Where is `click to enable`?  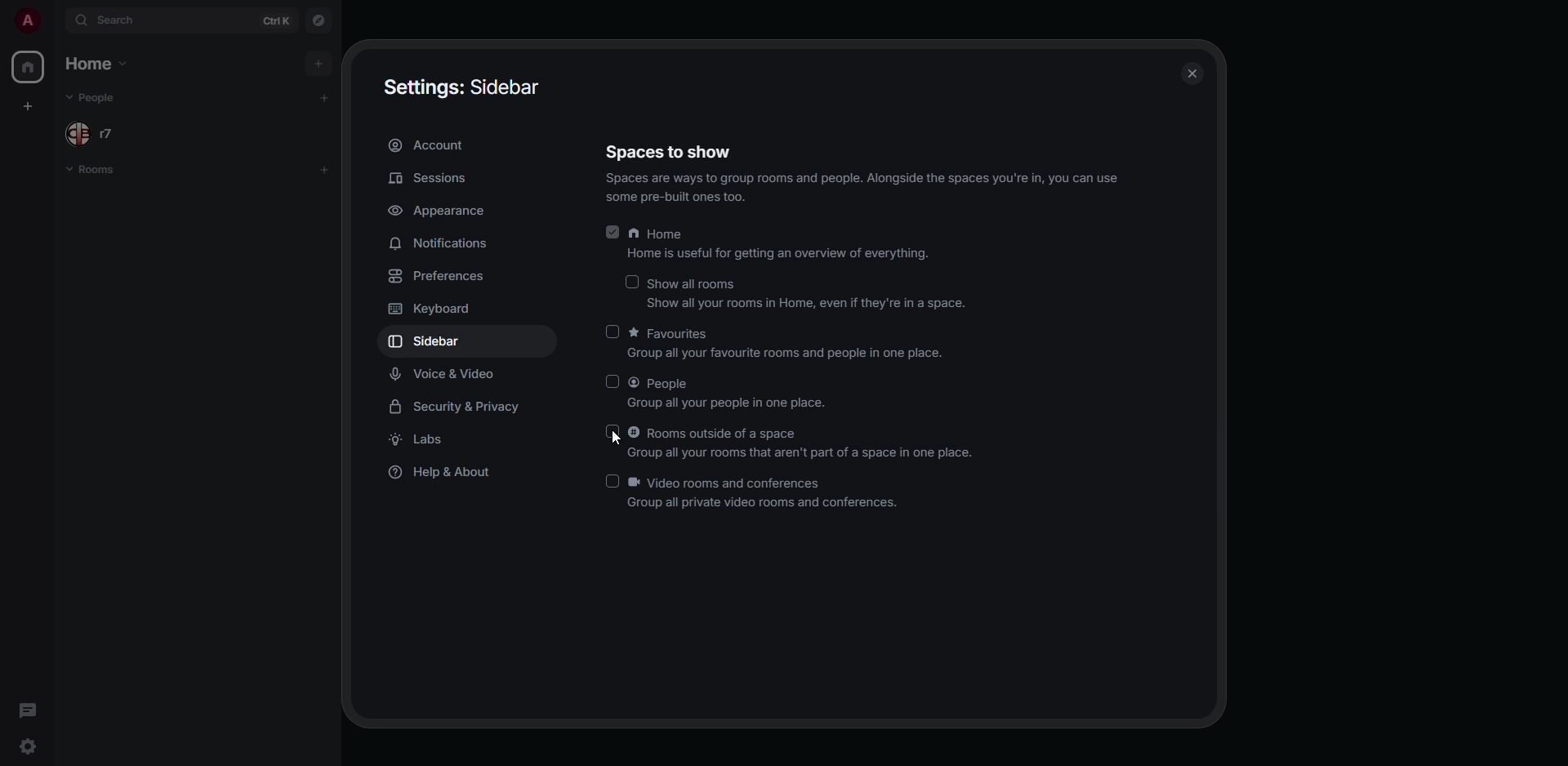 click to enable is located at coordinates (629, 281).